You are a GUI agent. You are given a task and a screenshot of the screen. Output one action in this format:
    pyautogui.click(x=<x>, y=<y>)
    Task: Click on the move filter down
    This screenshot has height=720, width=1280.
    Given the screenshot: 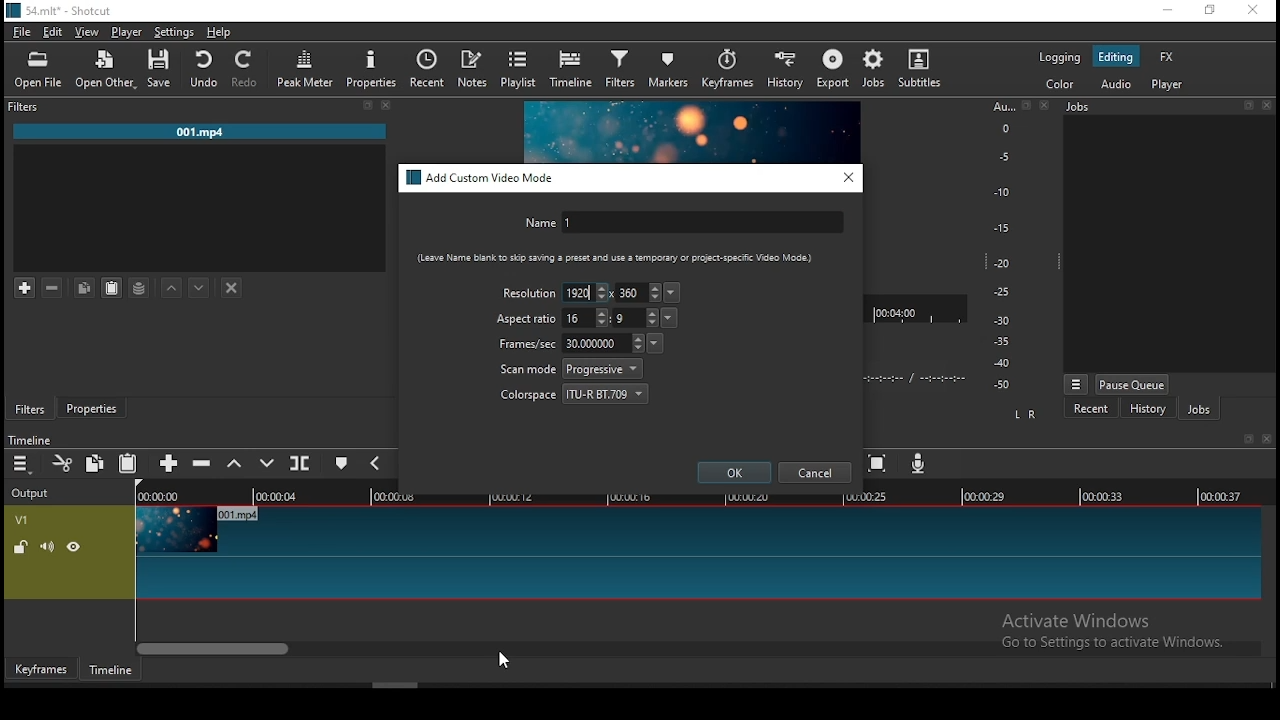 What is the action you would take?
    pyautogui.click(x=199, y=288)
    